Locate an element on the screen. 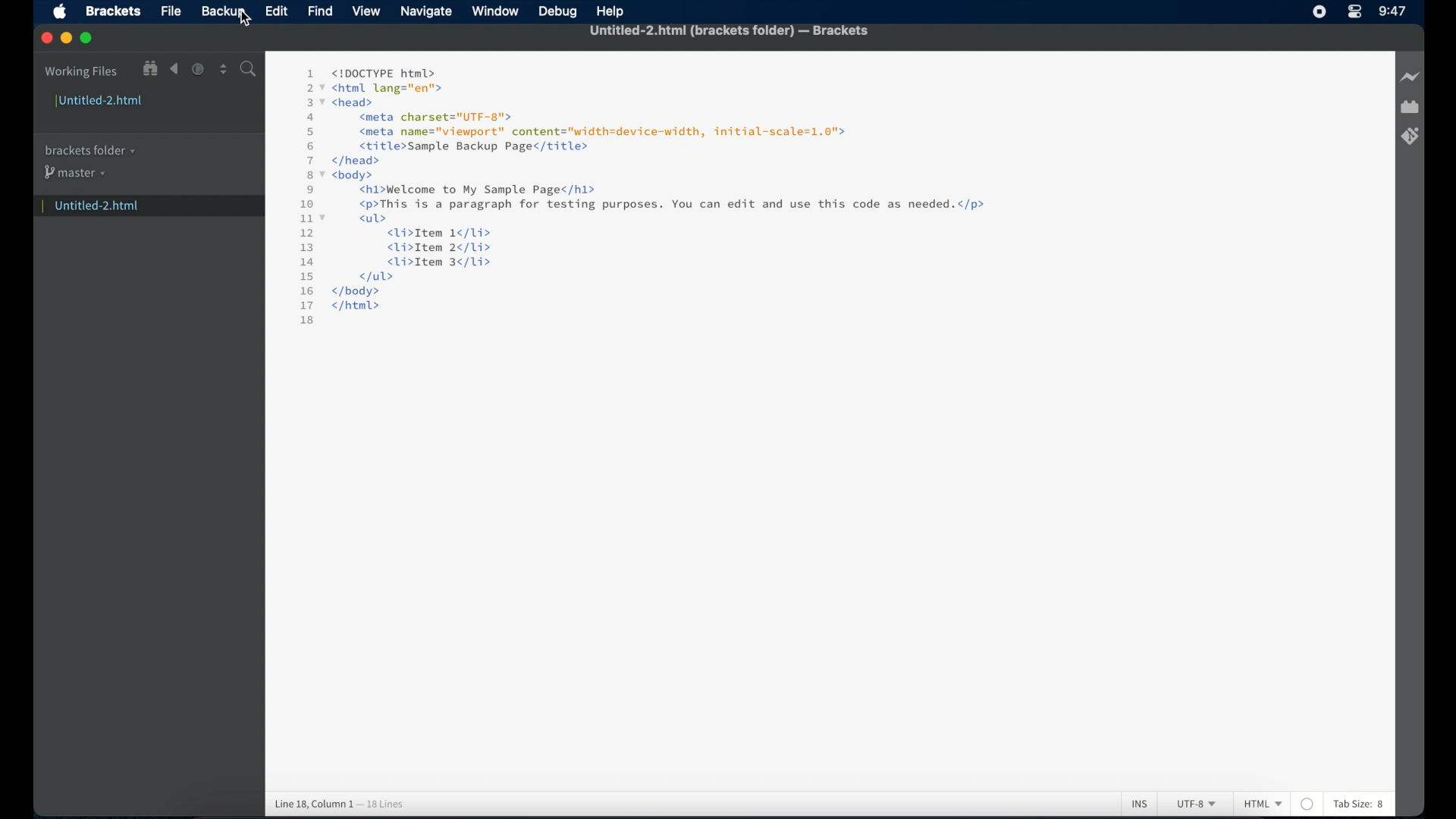  live preview is located at coordinates (1410, 77).